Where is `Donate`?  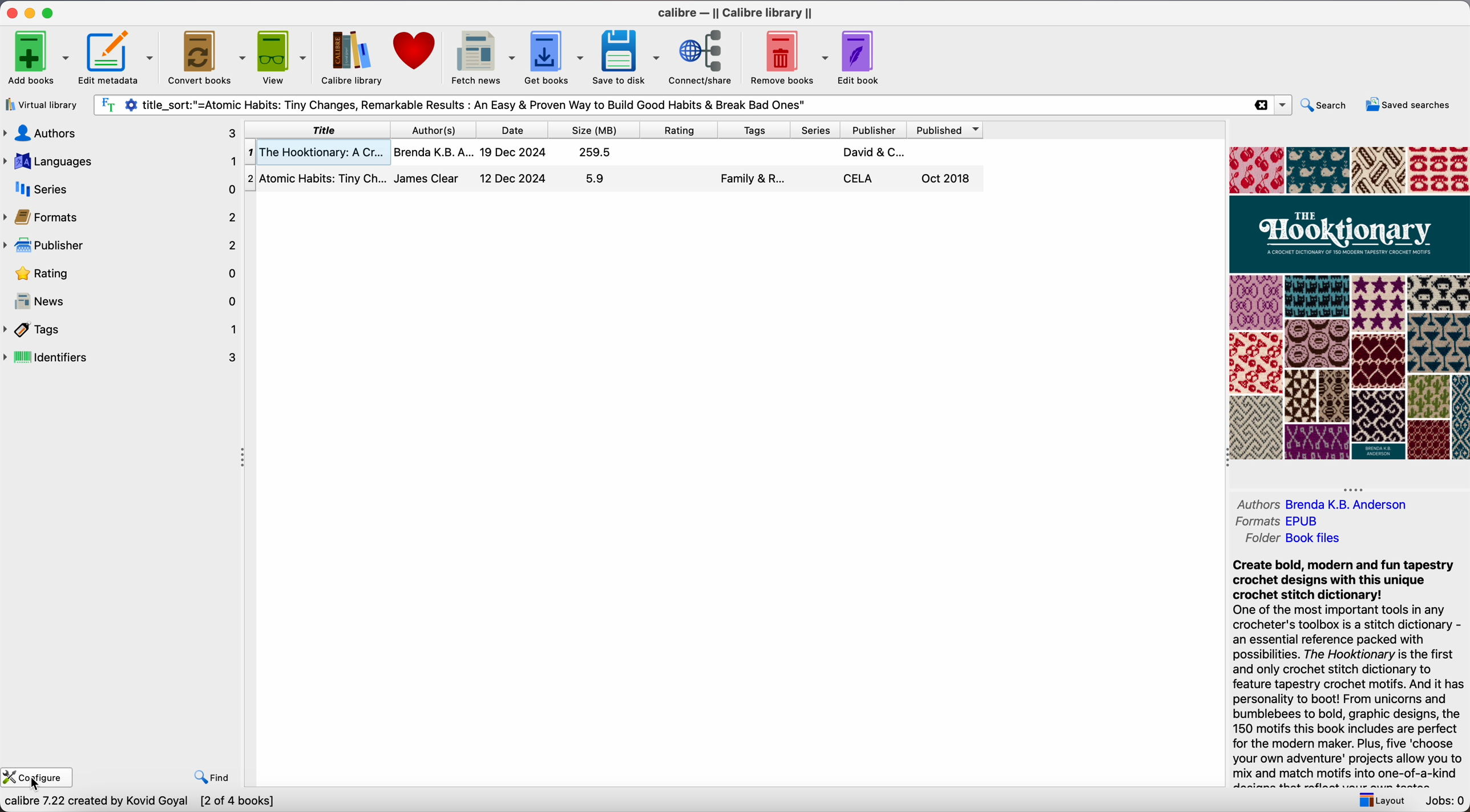 Donate is located at coordinates (417, 47).